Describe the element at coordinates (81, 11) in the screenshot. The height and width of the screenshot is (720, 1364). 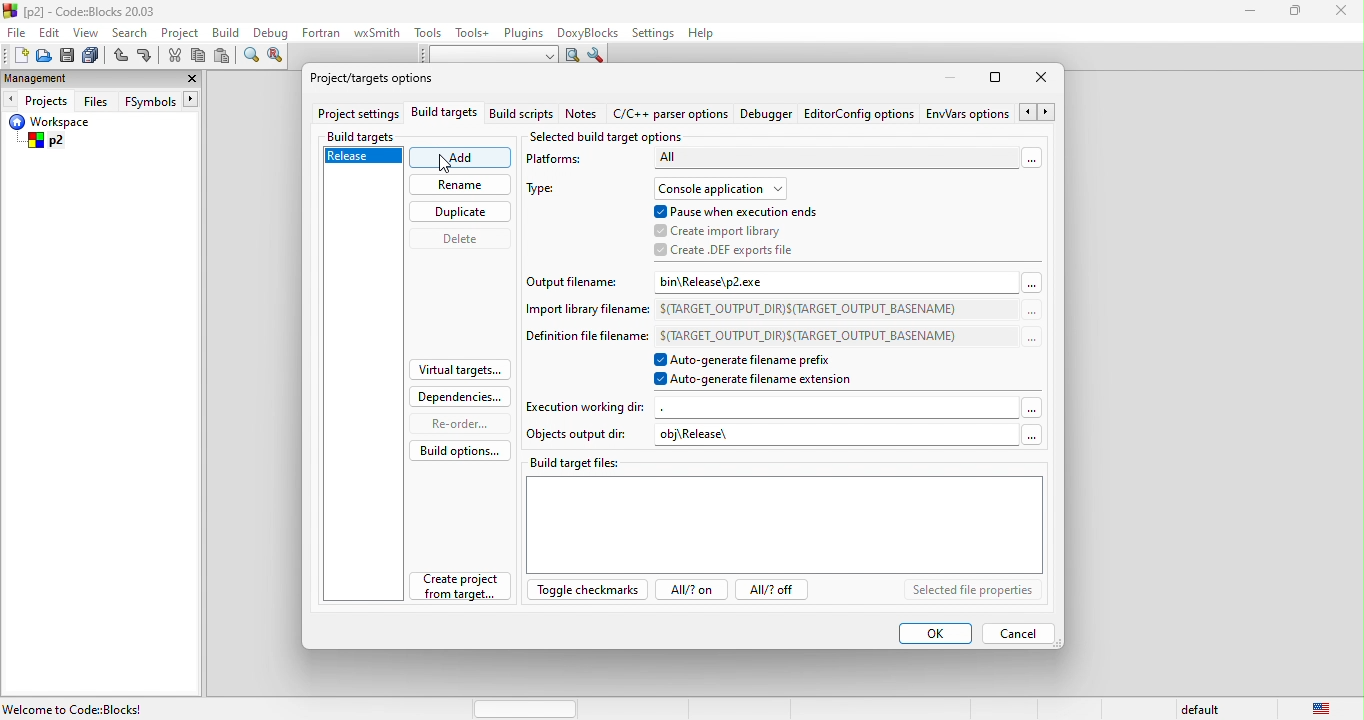
I see `[p2] - Code=Blocks 20.03` at that location.